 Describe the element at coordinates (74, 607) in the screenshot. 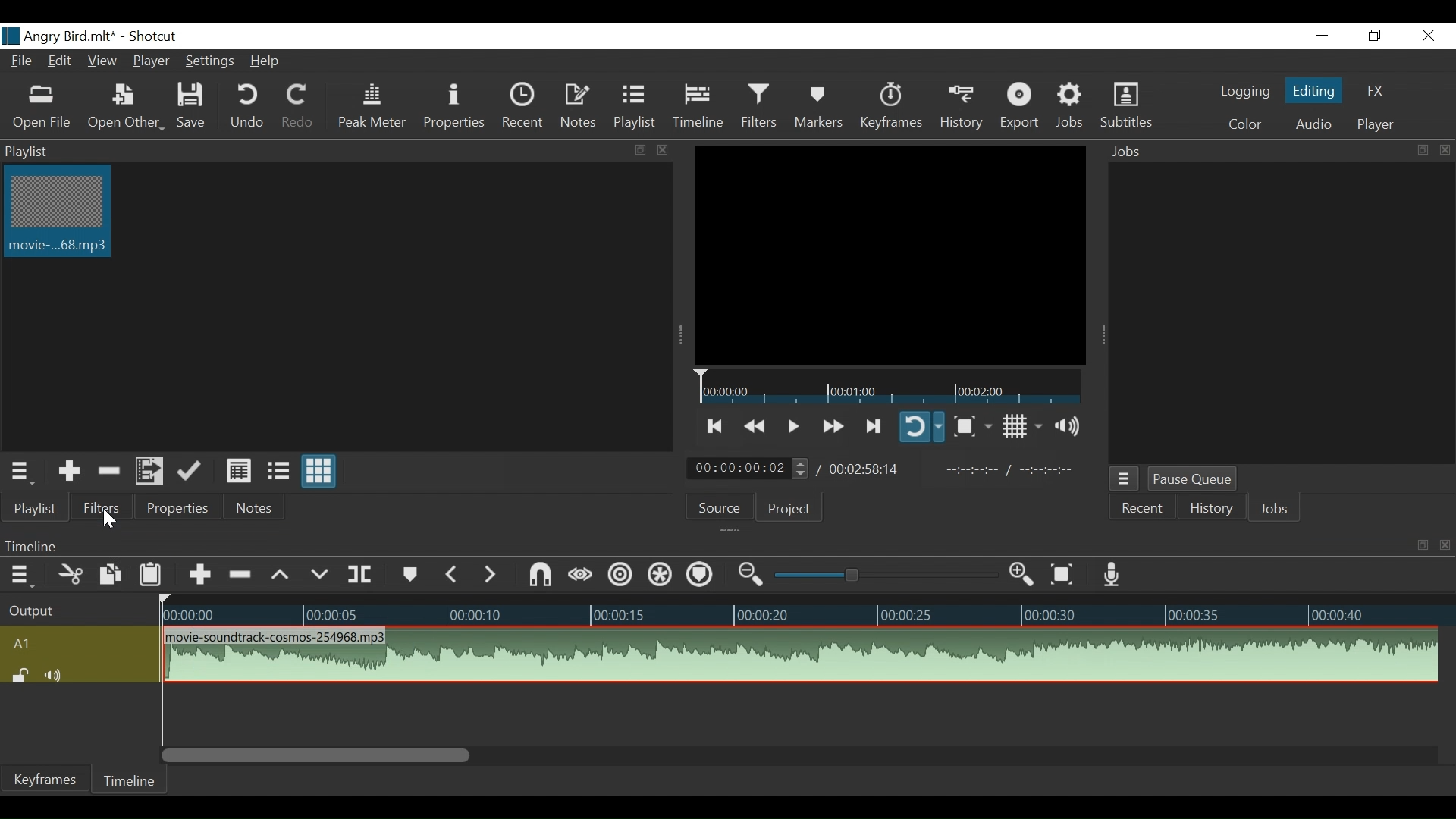

I see `Output` at that location.